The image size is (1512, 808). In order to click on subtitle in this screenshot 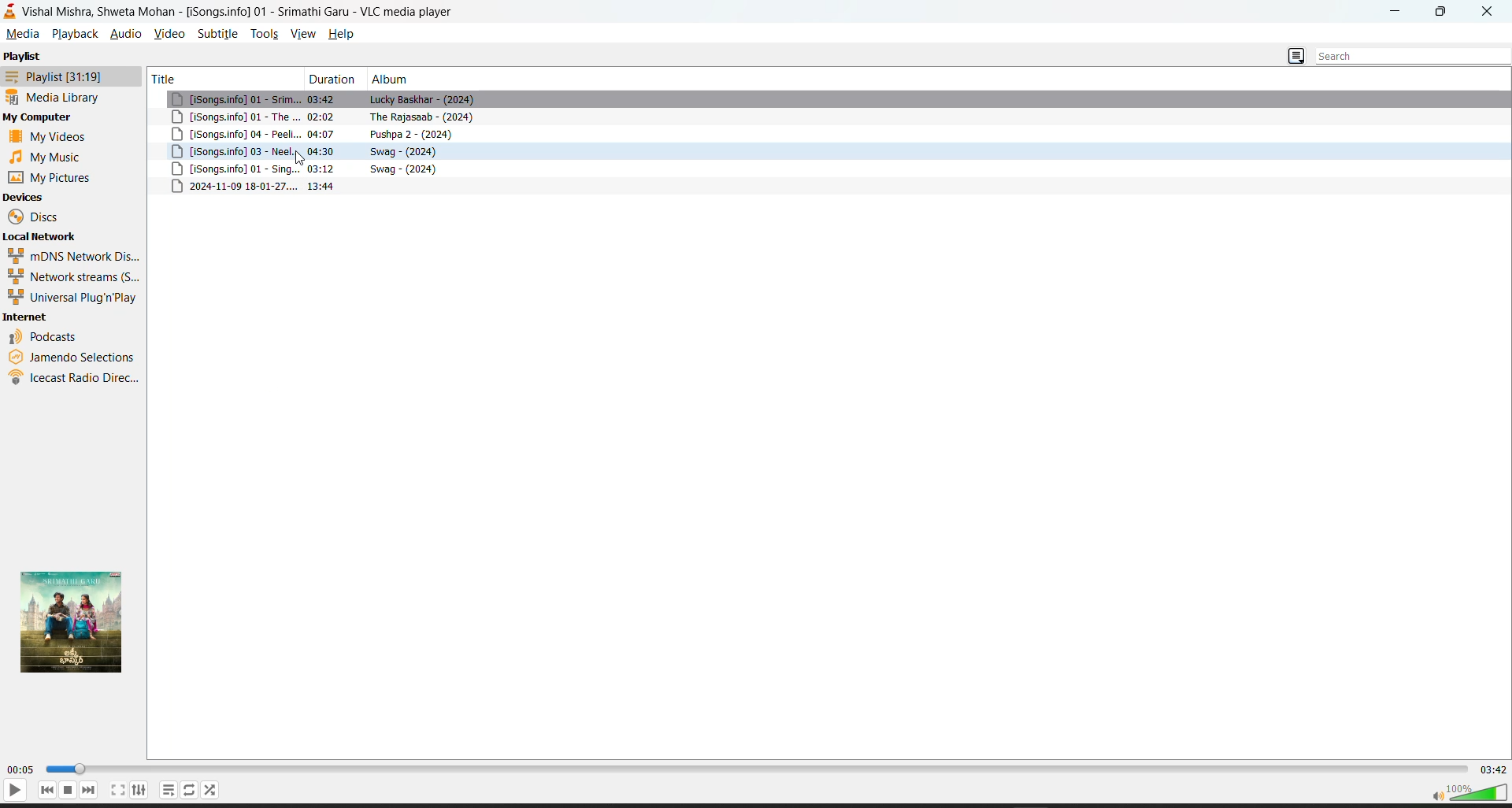, I will do `click(218, 33)`.